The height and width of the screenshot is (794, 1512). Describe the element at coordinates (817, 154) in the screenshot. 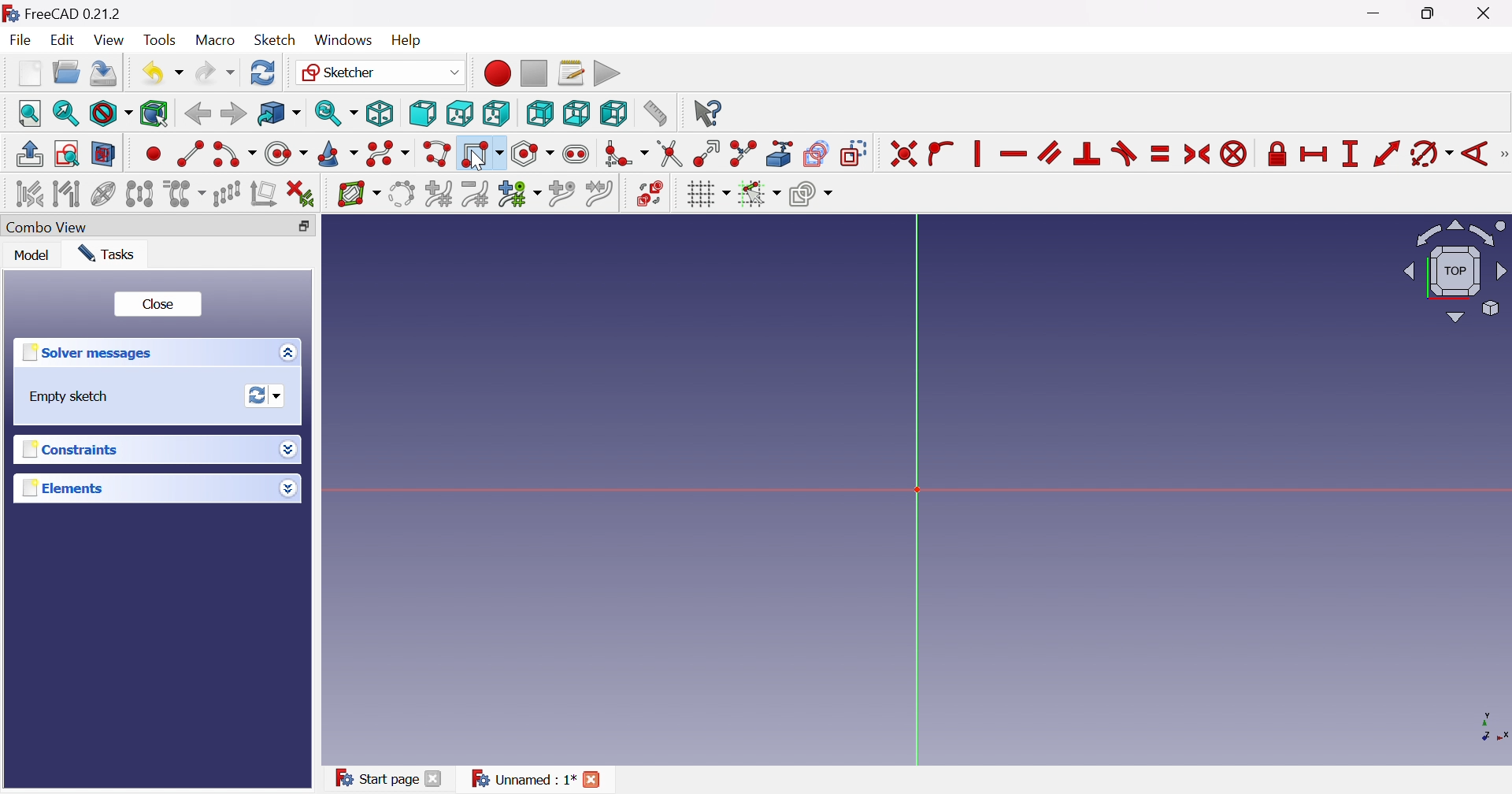

I see `Create carbon copy` at that location.